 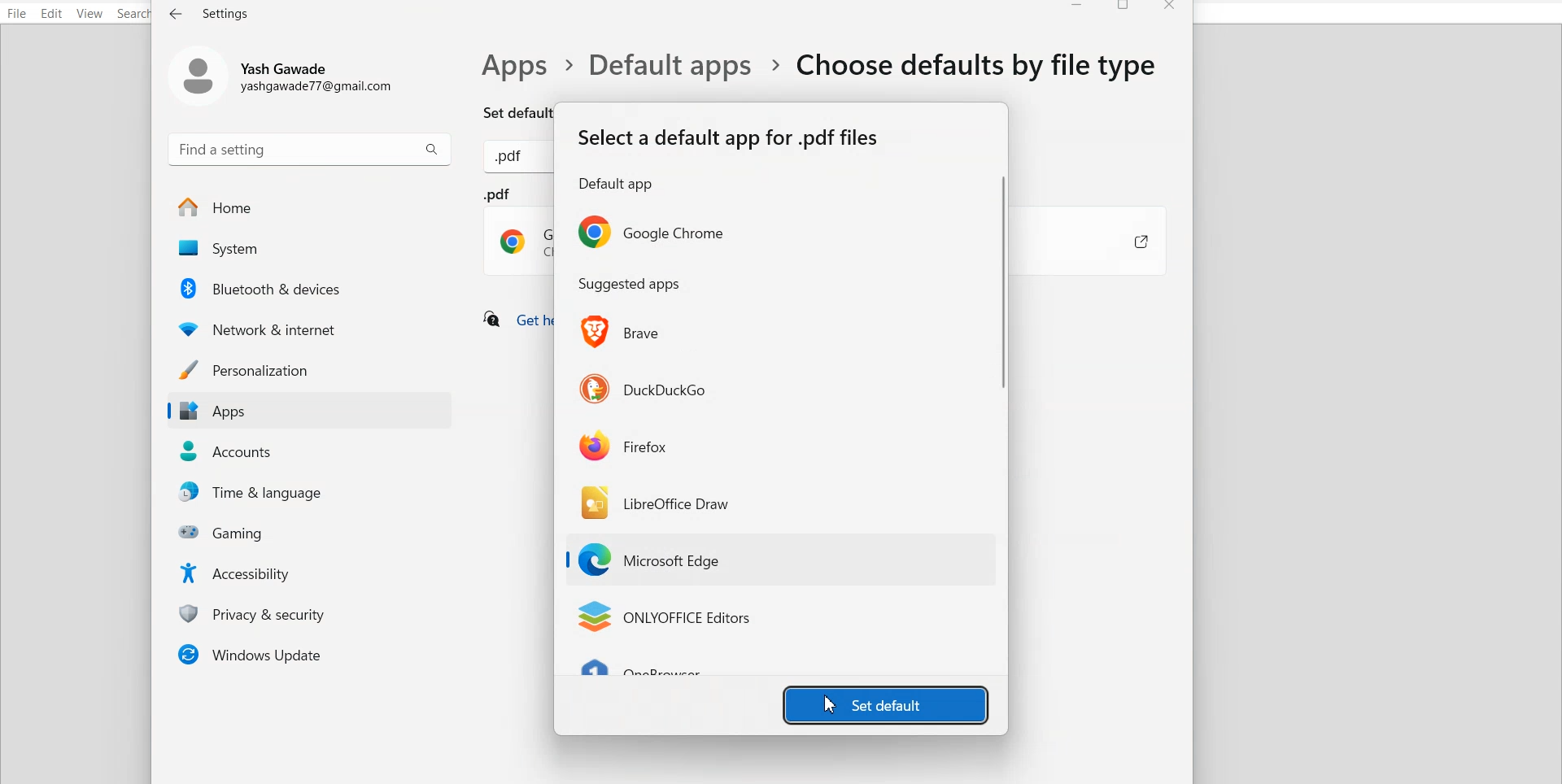 I want to click on LibreOffice Draw, so click(x=658, y=501).